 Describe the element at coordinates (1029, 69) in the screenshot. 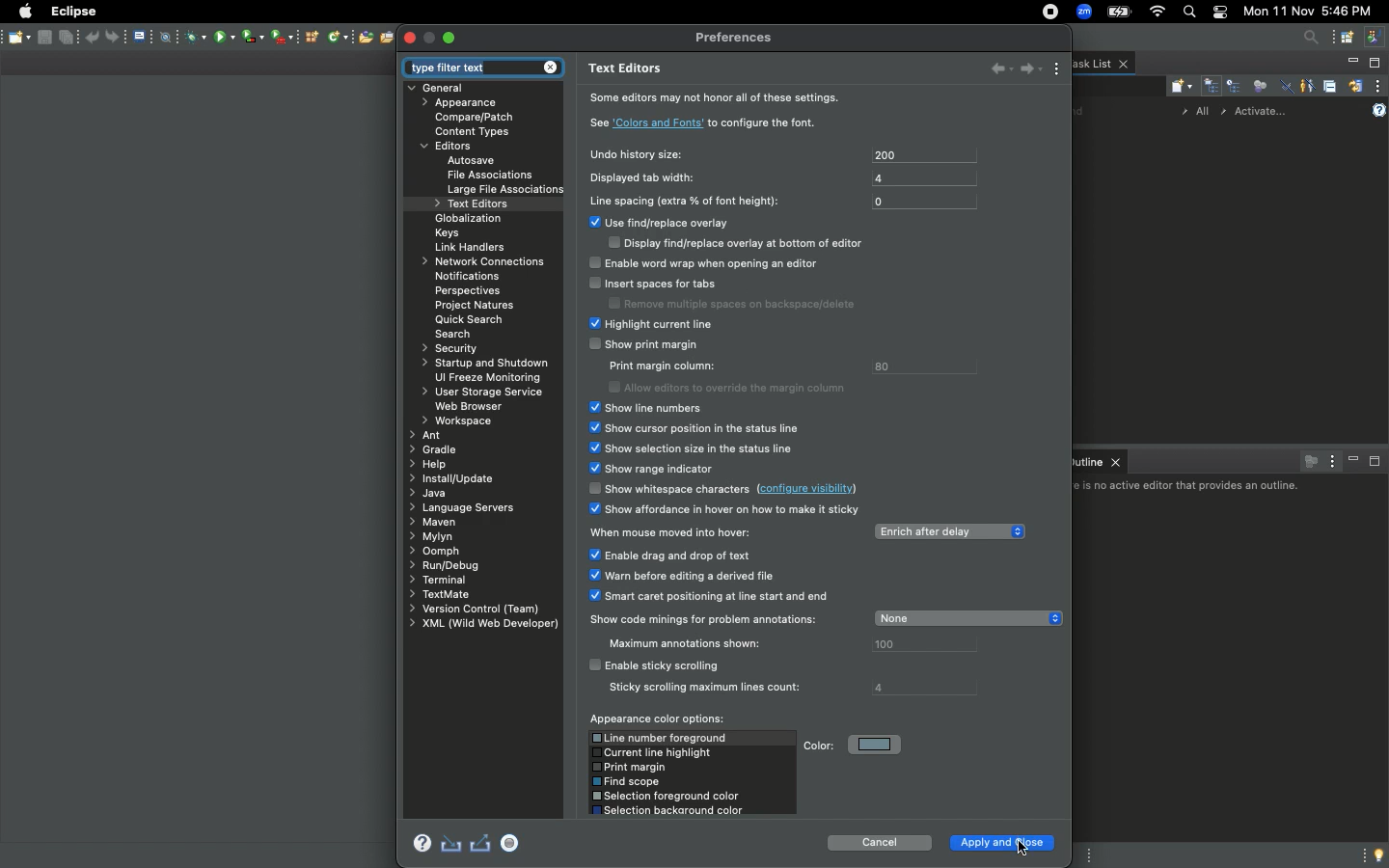

I see `Forward` at that location.